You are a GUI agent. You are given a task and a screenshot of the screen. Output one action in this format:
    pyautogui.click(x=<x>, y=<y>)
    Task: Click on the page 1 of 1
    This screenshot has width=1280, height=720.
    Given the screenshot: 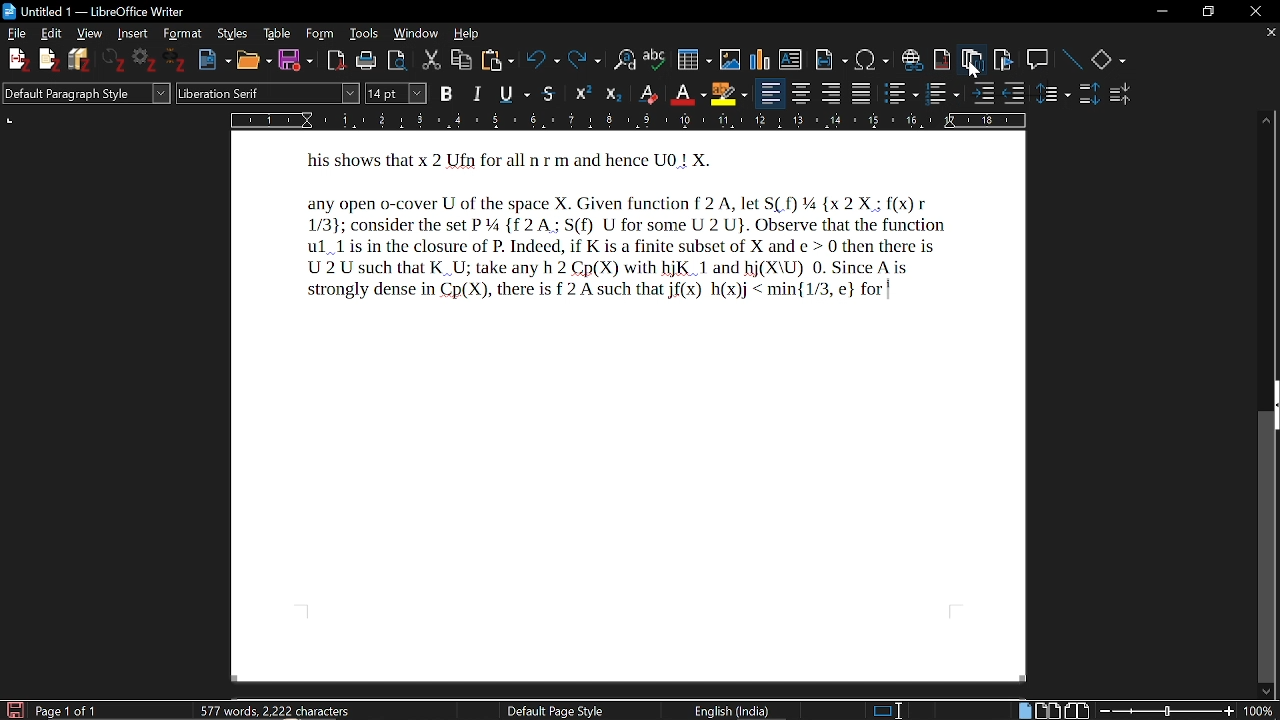 What is the action you would take?
    pyautogui.click(x=67, y=710)
    